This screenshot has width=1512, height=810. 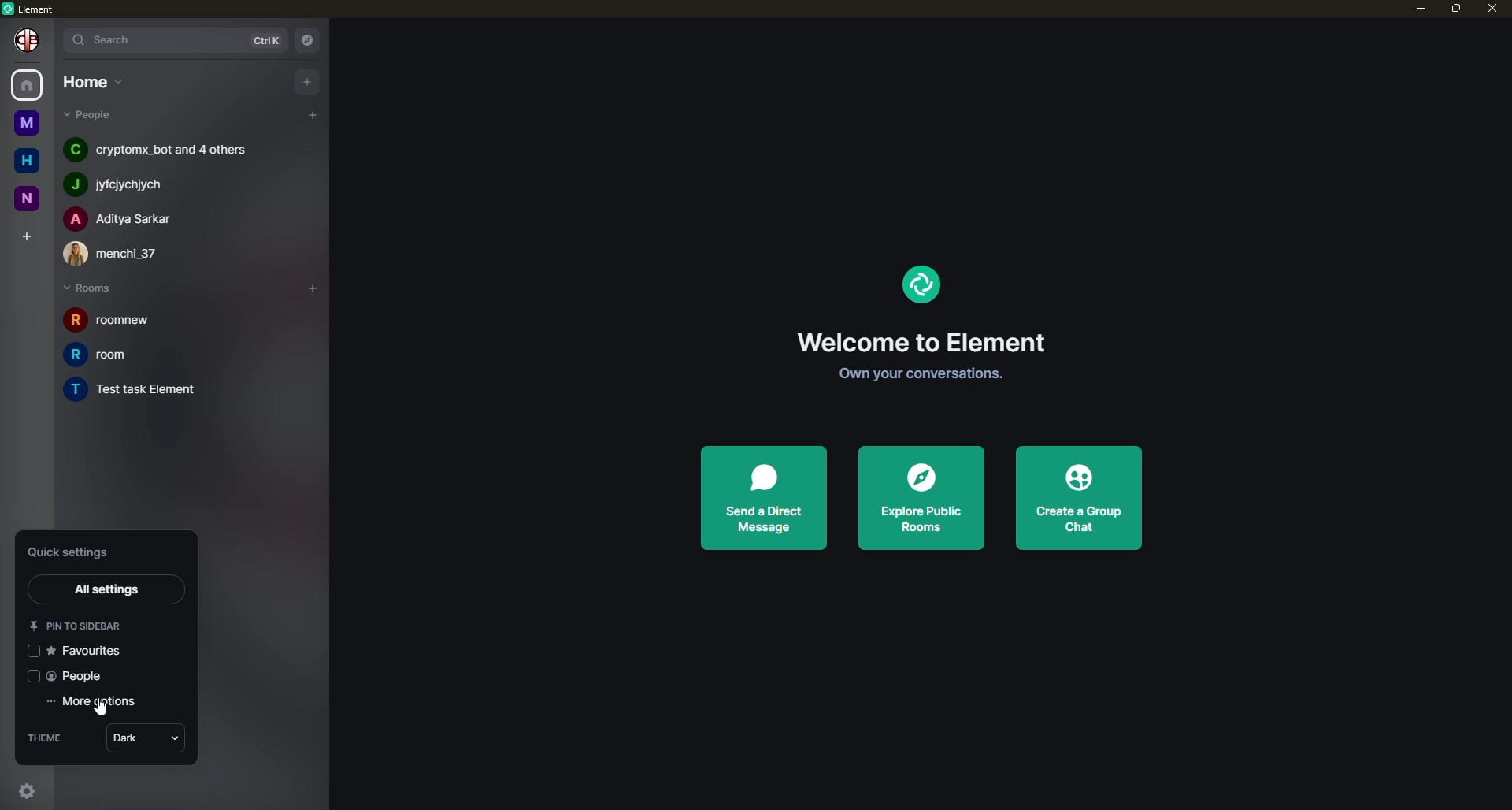 I want to click on close, so click(x=1495, y=10).